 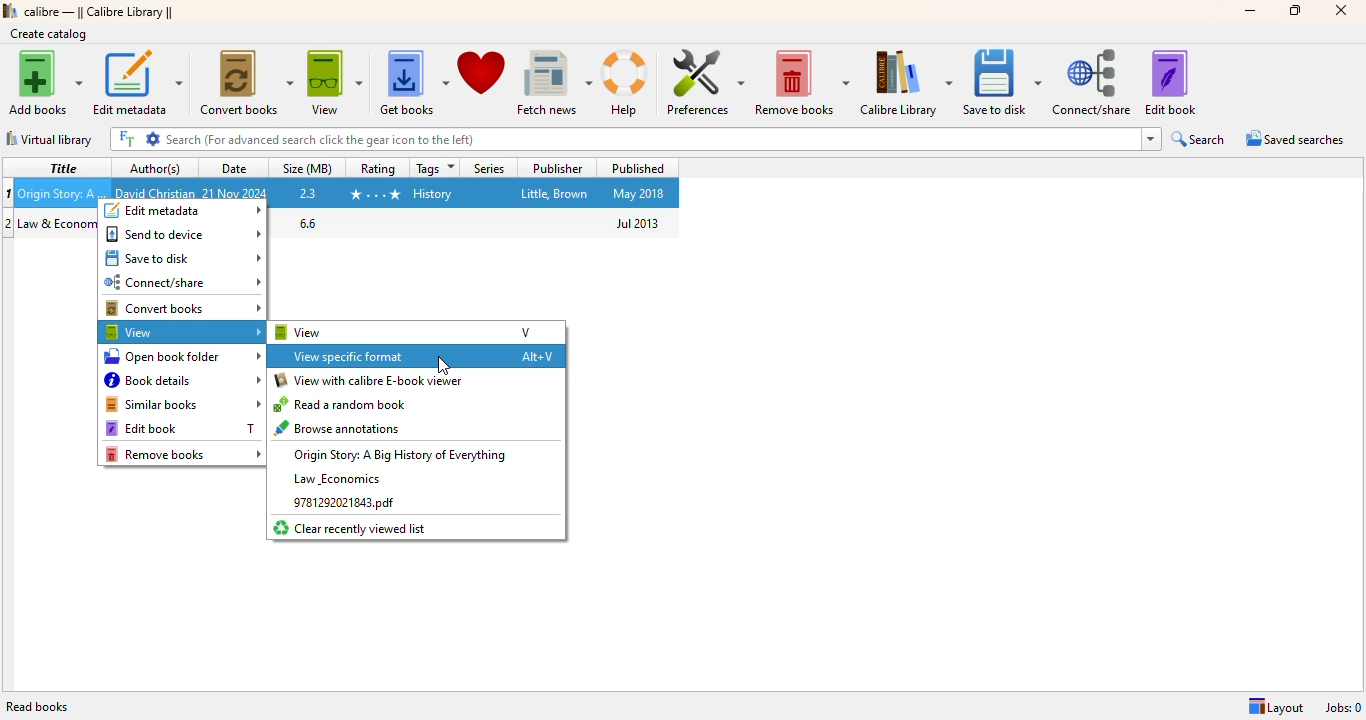 What do you see at coordinates (9, 193) in the screenshot?
I see `1` at bounding box center [9, 193].